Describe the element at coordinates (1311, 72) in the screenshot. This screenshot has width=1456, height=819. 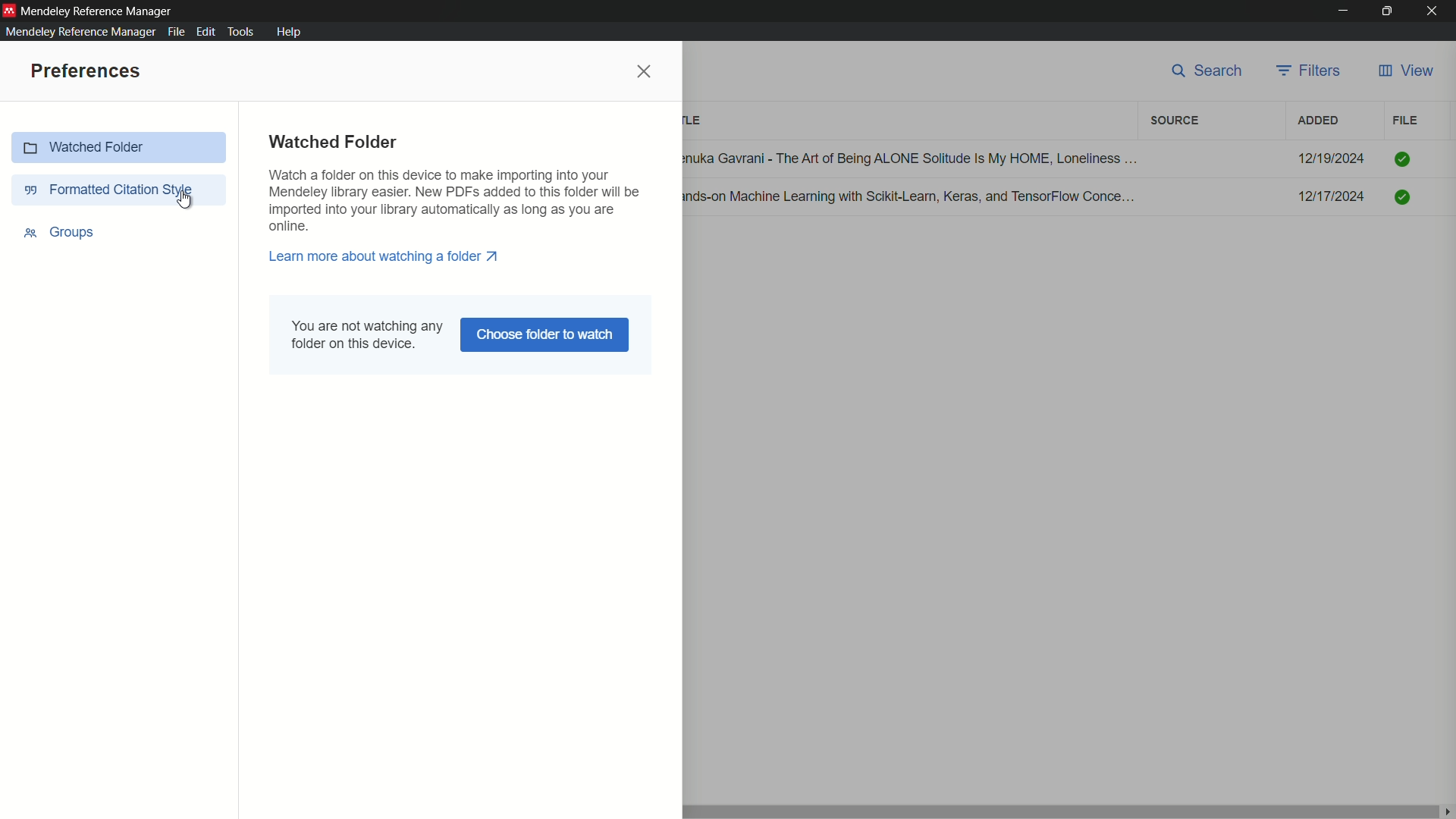
I see `filters` at that location.